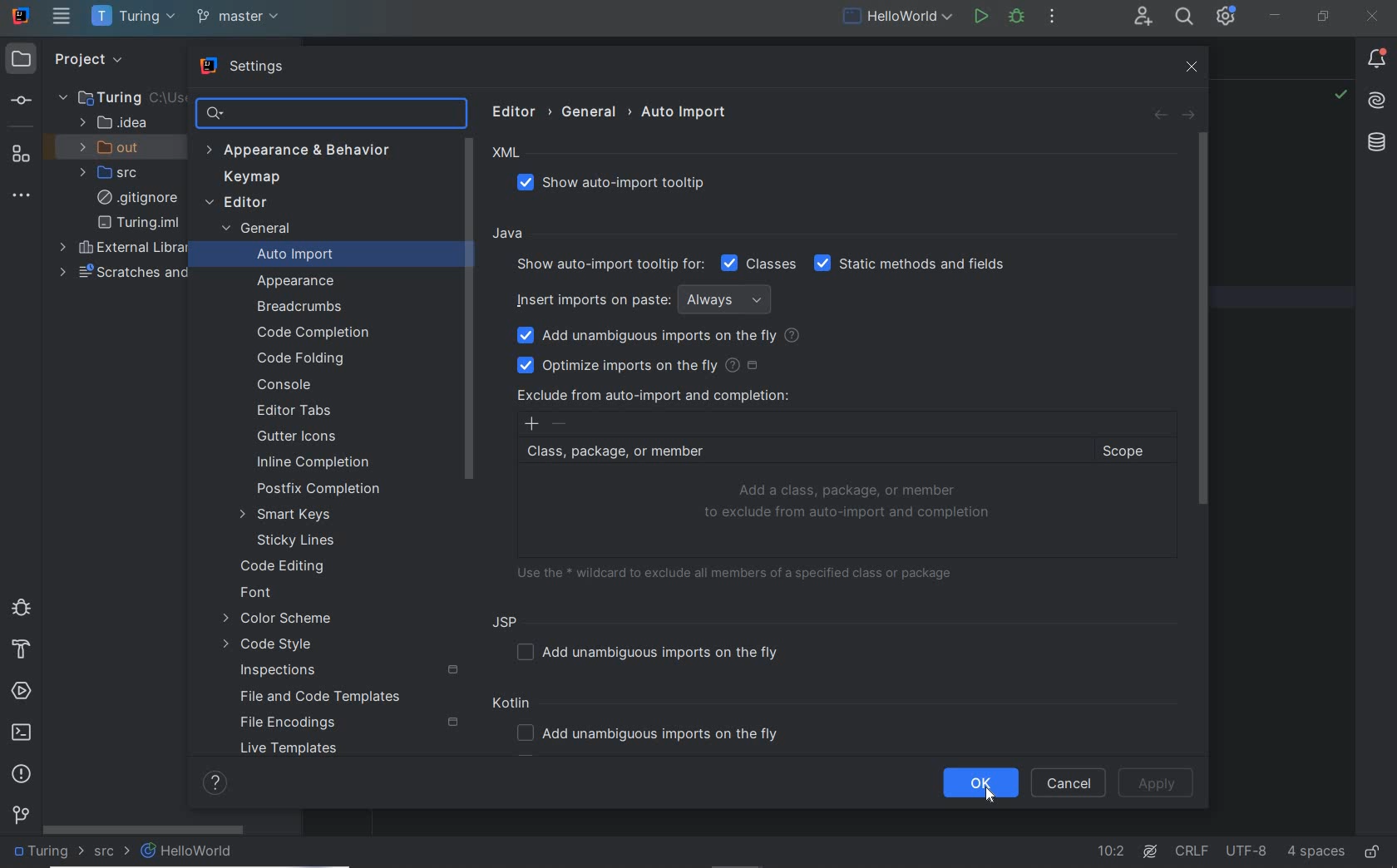  I want to click on APPLY, so click(1160, 784).